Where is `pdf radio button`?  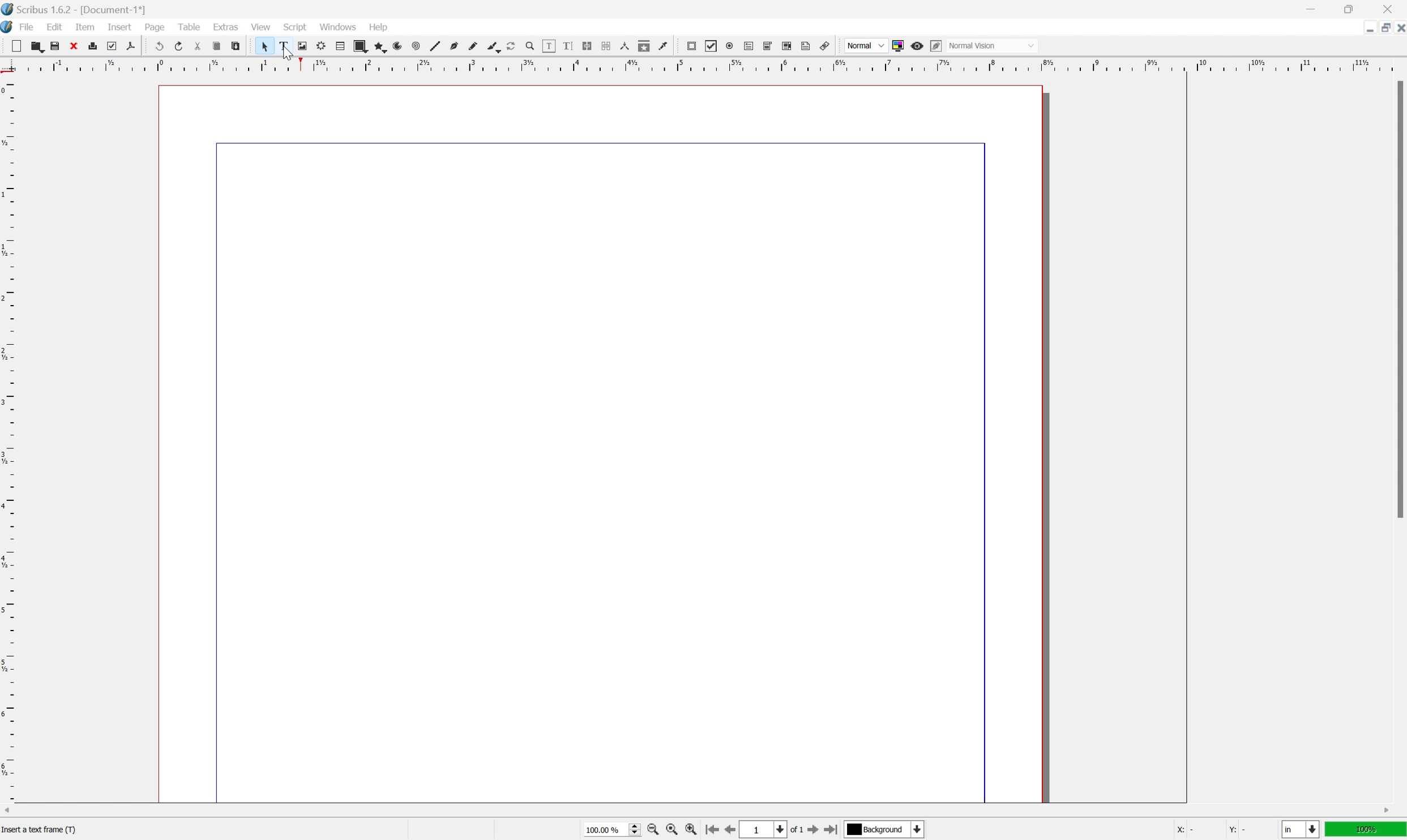 pdf radio button is located at coordinates (729, 46).